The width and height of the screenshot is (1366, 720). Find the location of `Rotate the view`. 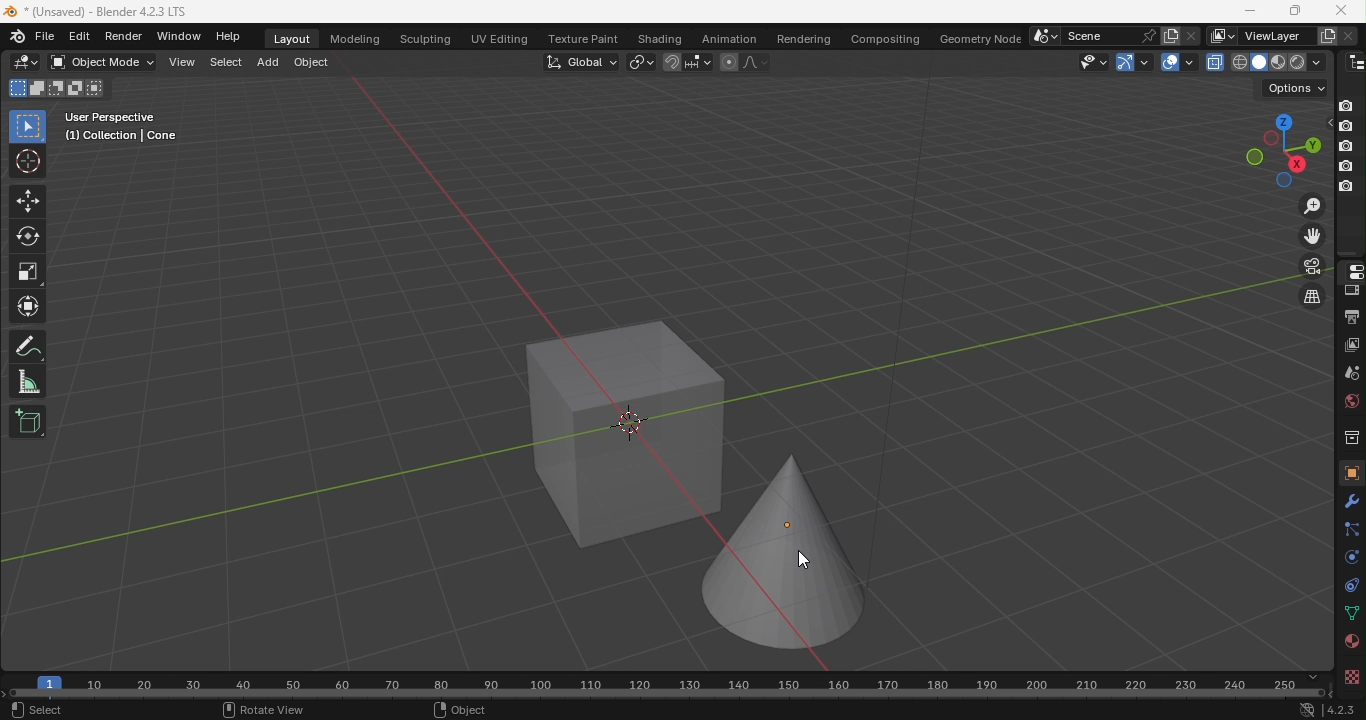

Rotate the view is located at coordinates (1283, 182).